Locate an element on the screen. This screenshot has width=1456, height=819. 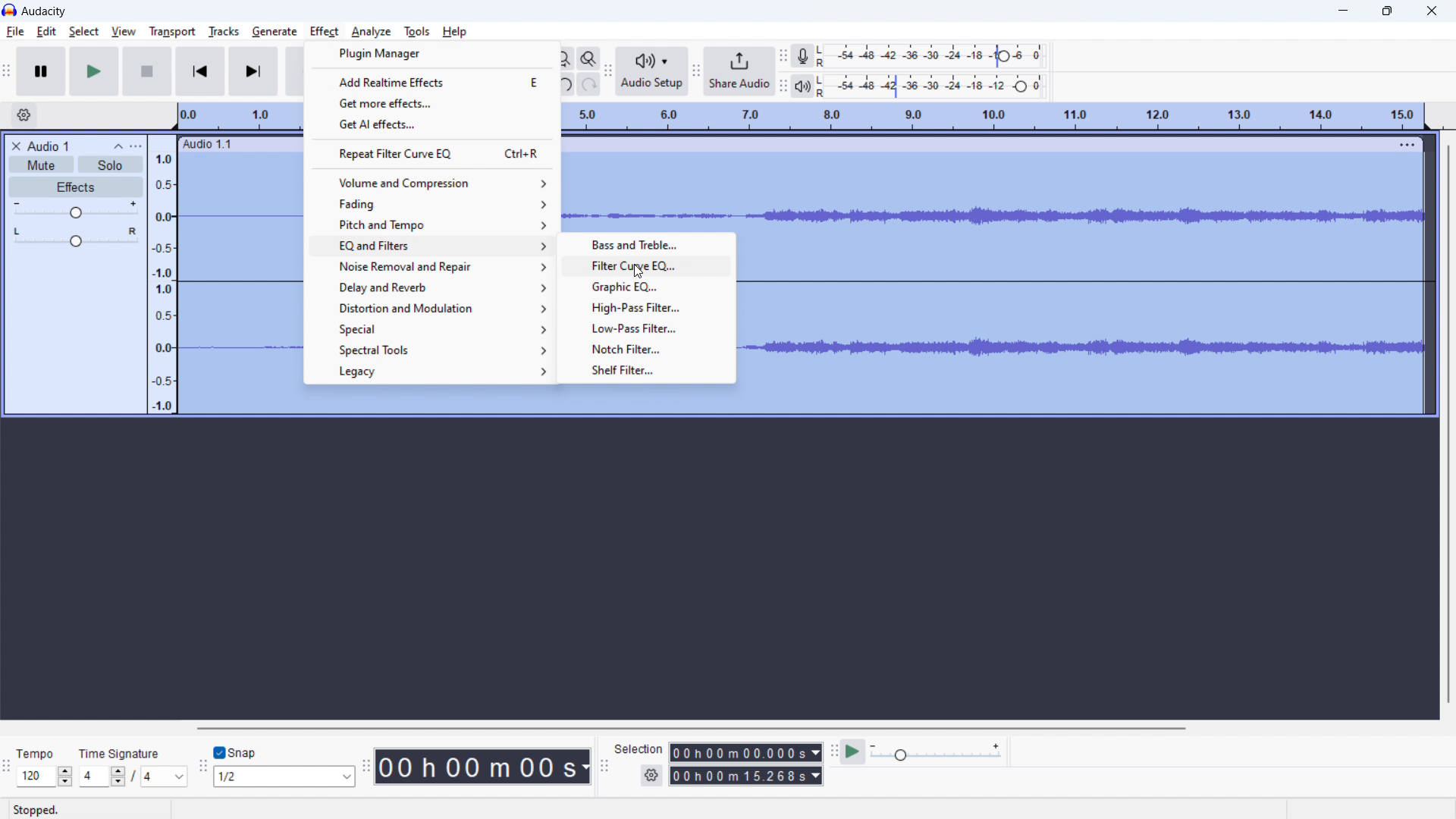
playback speed is located at coordinates (937, 753).